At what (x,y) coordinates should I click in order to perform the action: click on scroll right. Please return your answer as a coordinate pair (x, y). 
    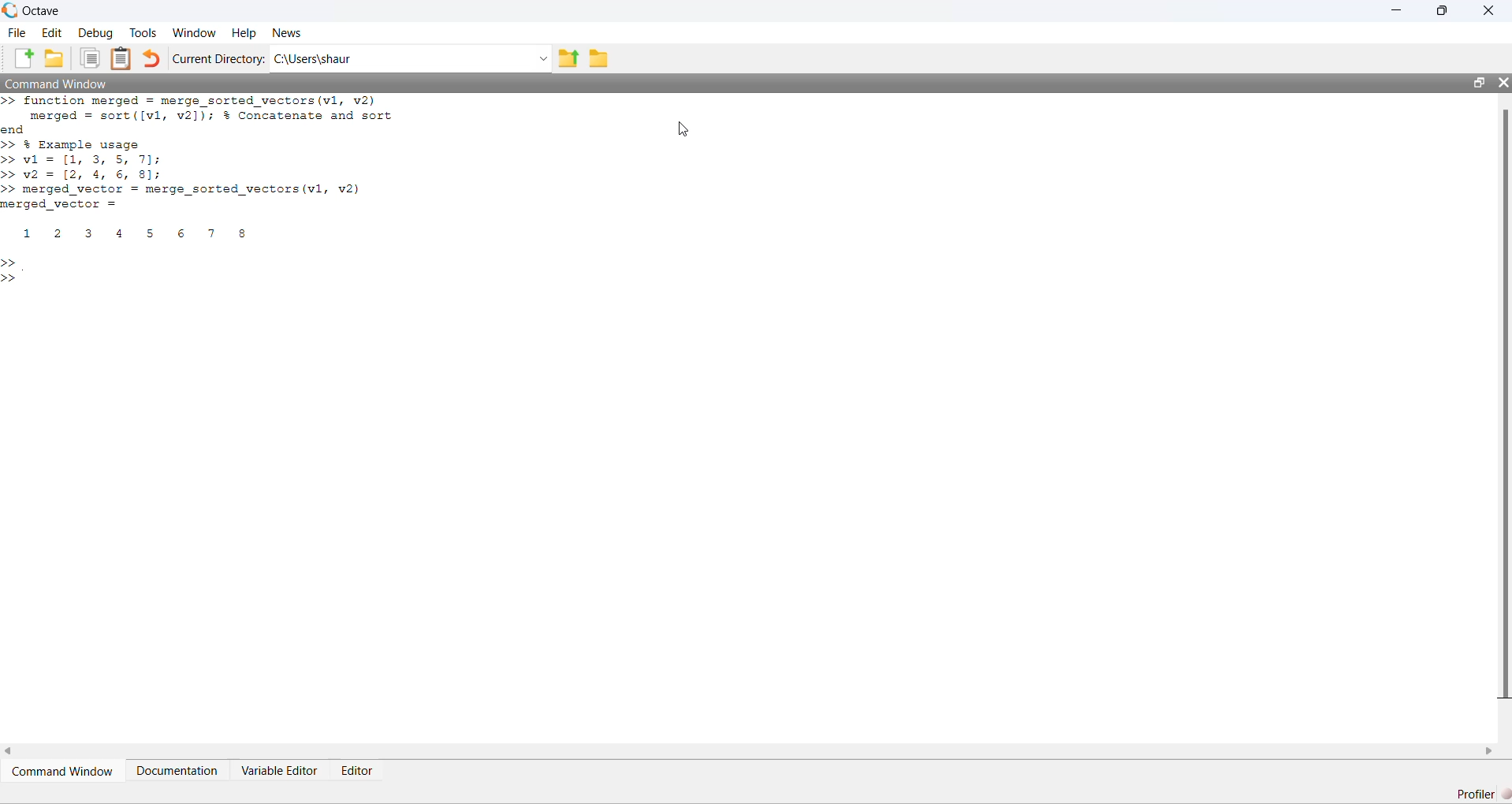
    Looking at the image, I should click on (1490, 751).